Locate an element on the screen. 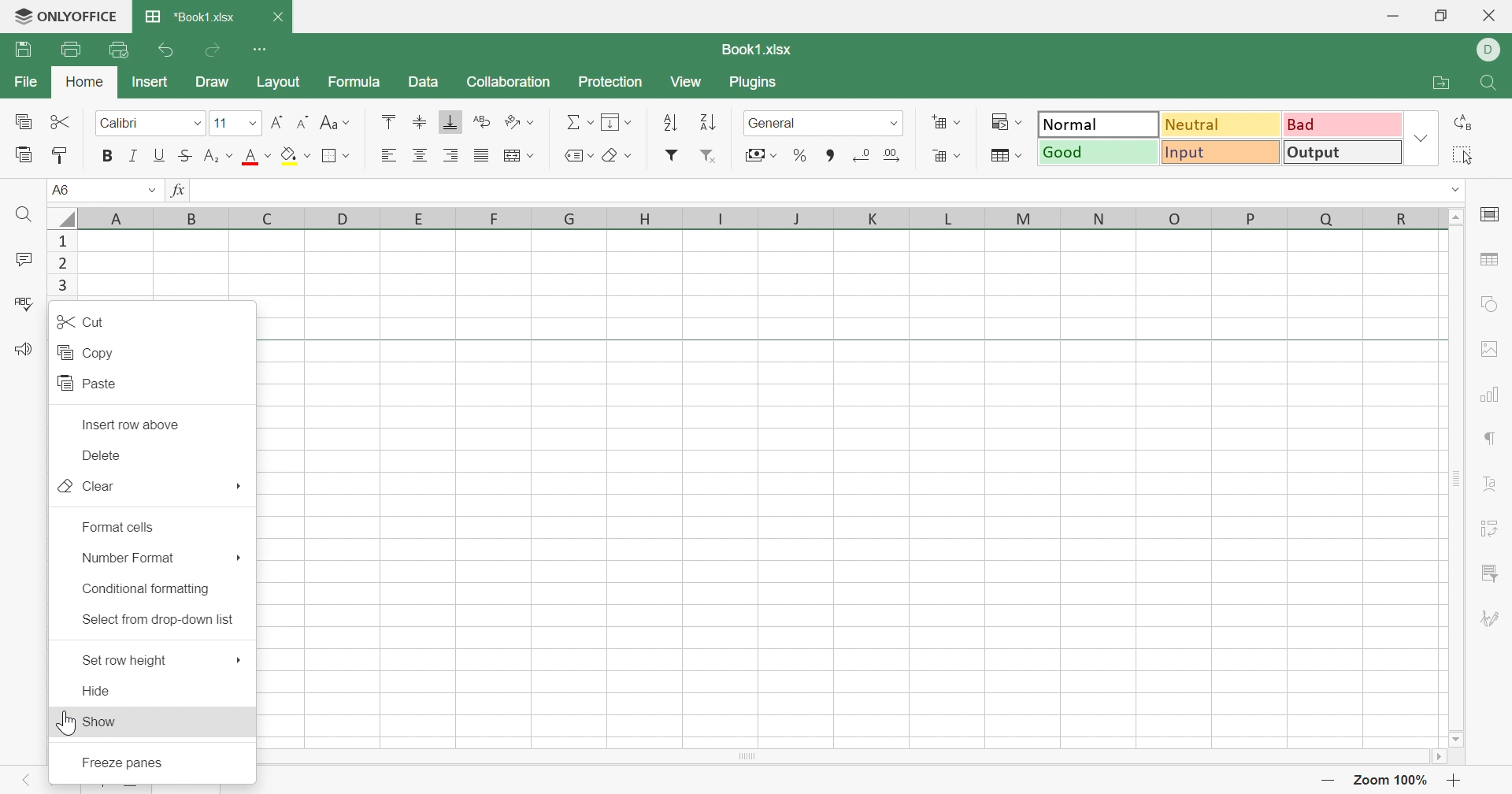  Copy is located at coordinates (87, 351).